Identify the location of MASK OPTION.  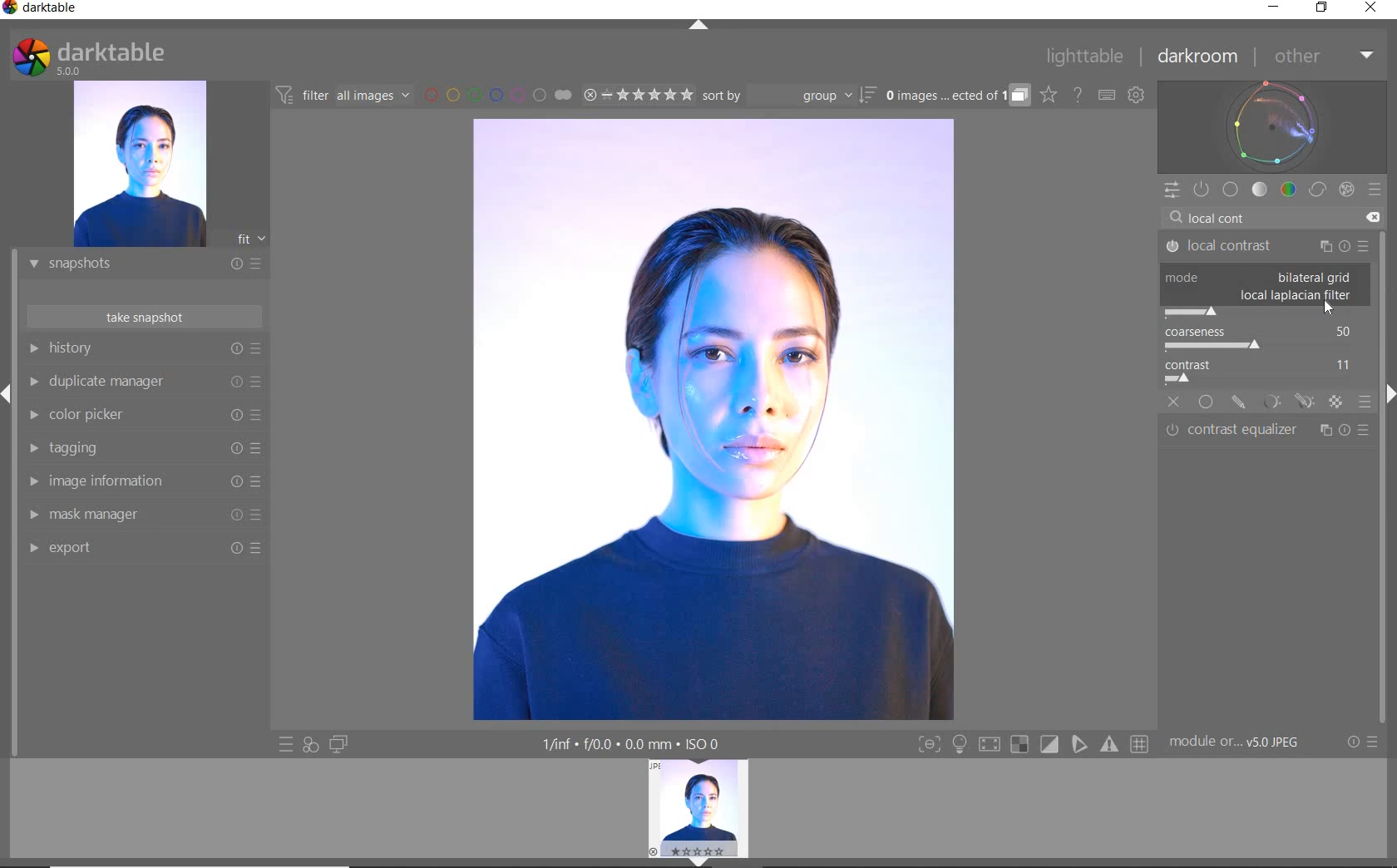
(1238, 403).